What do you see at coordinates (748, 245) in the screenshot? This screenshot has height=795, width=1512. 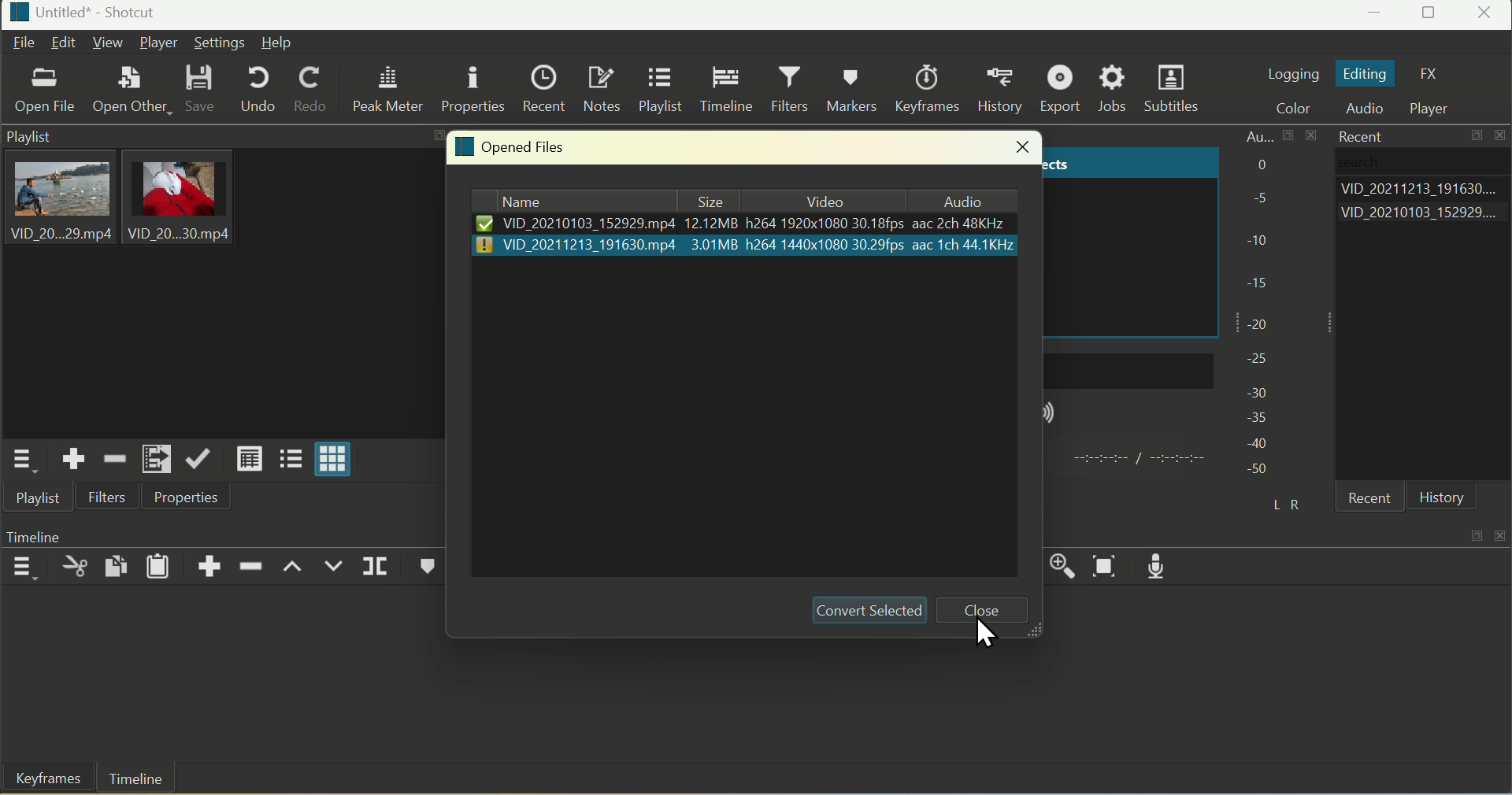 I see `video file` at bounding box center [748, 245].